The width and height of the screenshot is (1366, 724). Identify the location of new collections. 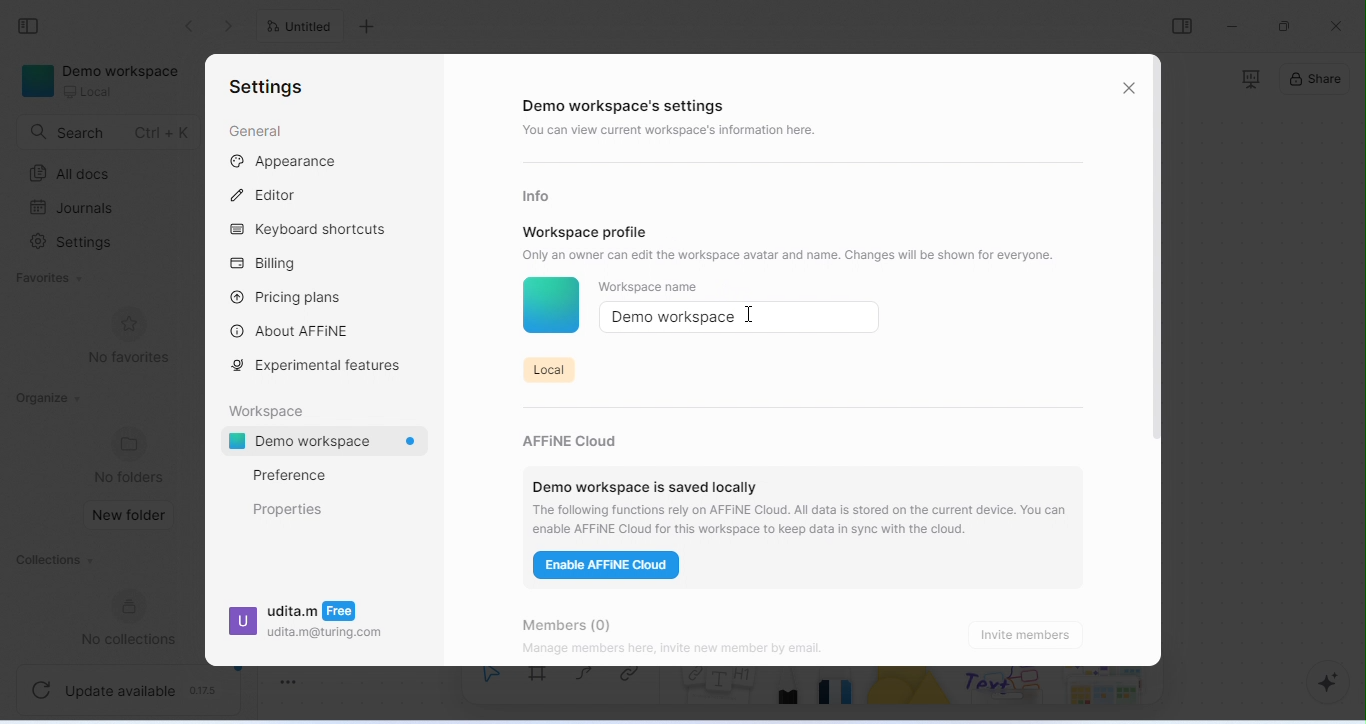
(137, 618).